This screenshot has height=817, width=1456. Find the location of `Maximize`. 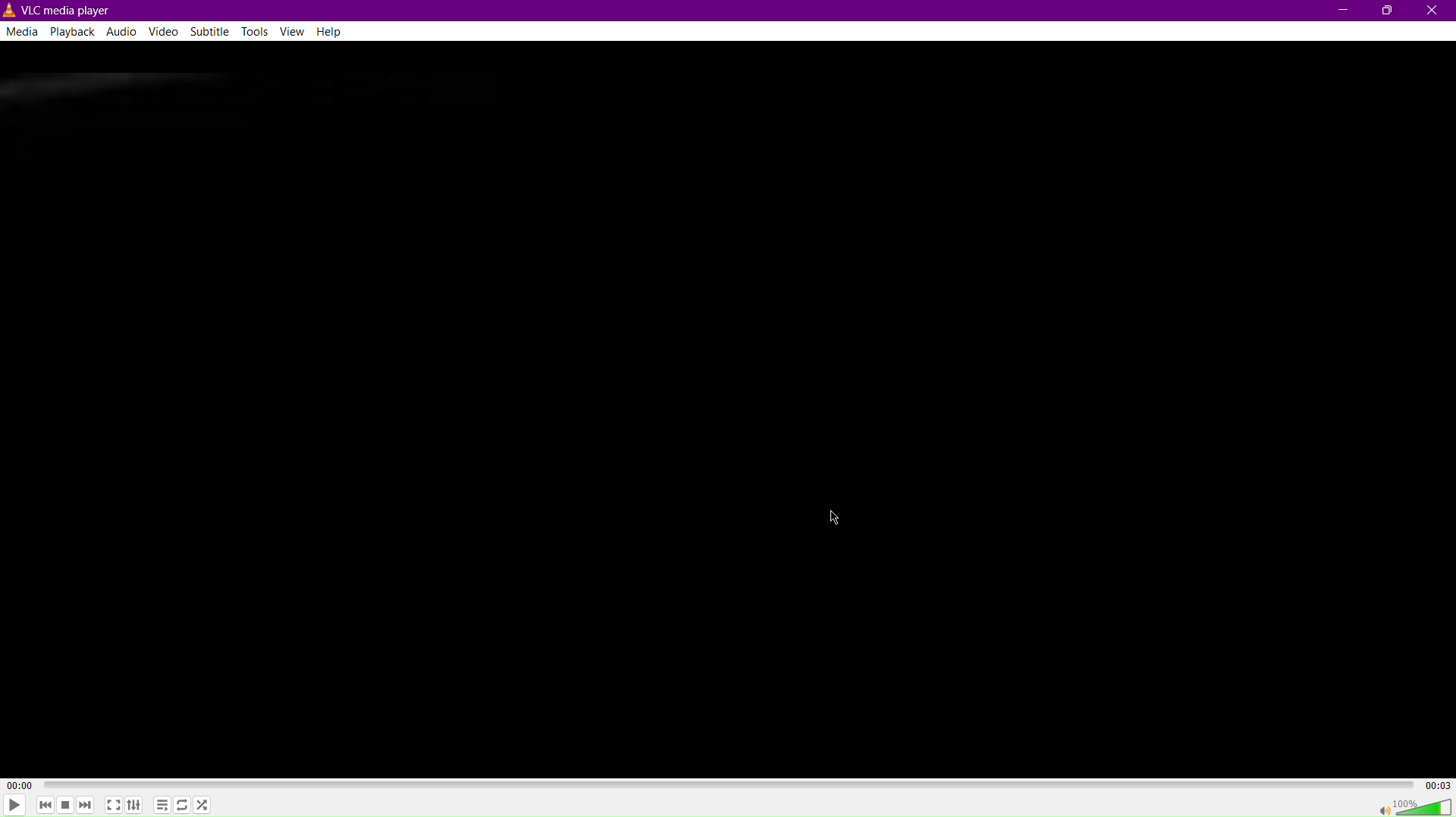

Maximize is located at coordinates (1389, 11).